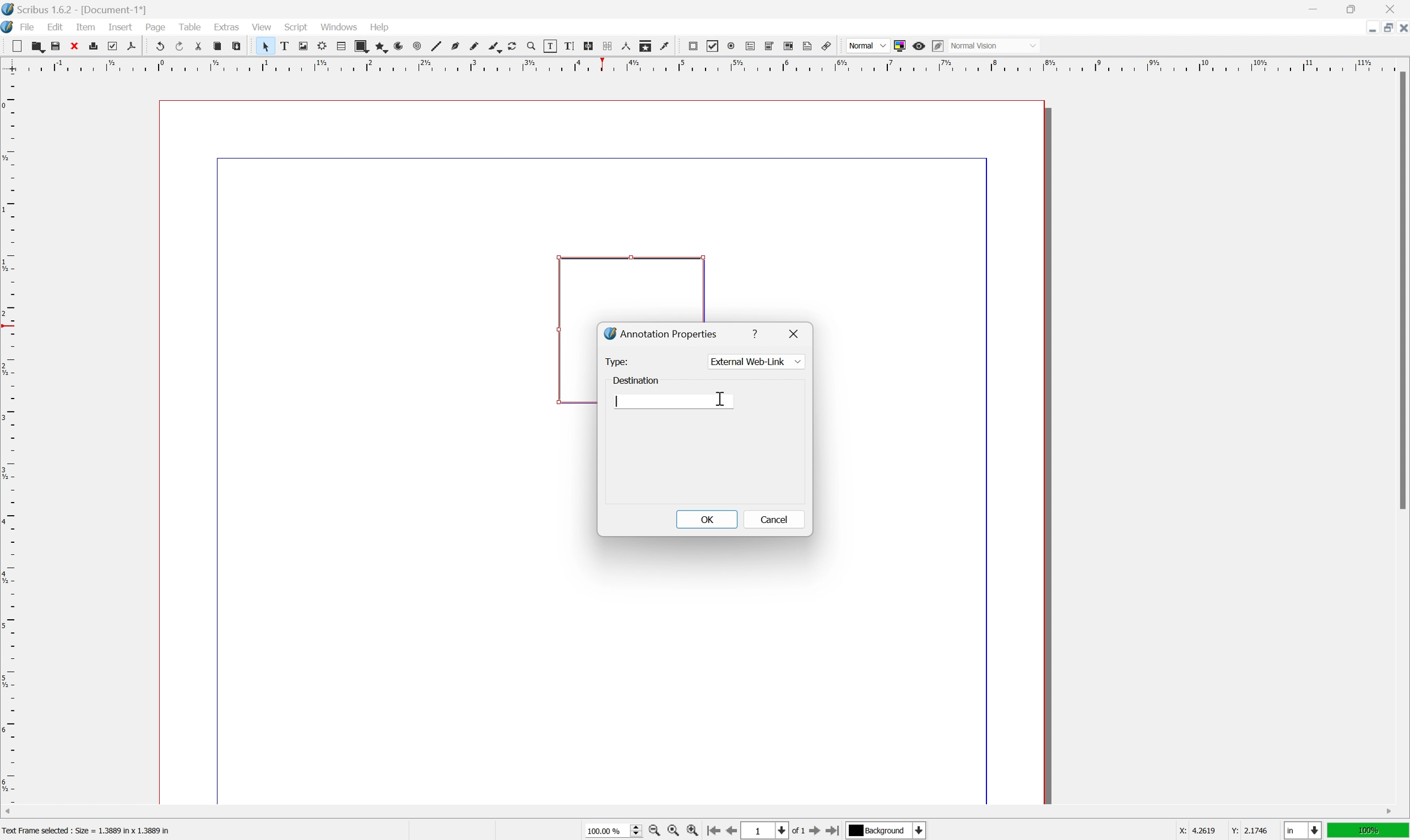 This screenshot has width=1410, height=840. What do you see at coordinates (626, 46) in the screenshot?
I see `measurements` at bounding box center [626, 46].